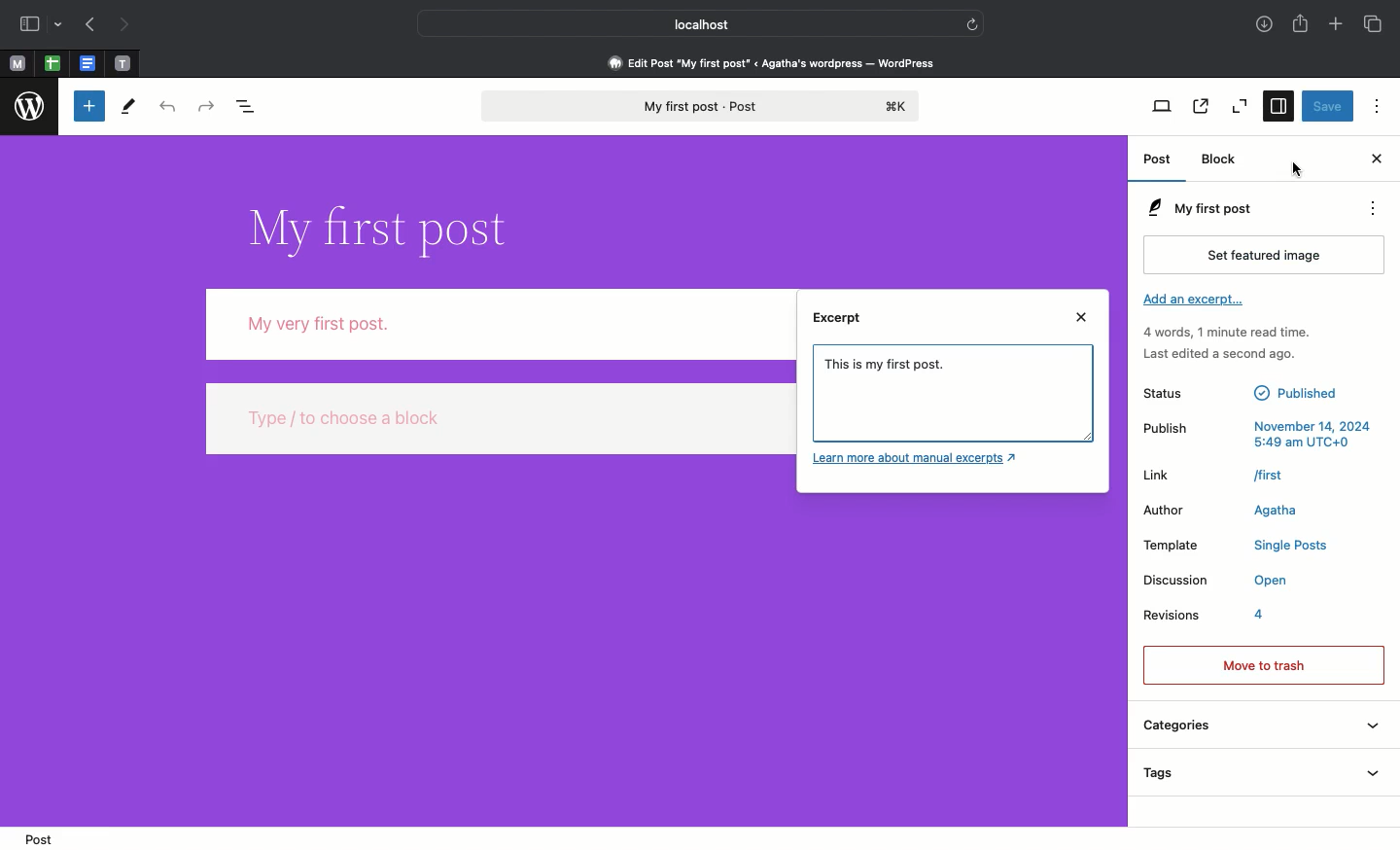  I want to click on Post, so click(37, 837).